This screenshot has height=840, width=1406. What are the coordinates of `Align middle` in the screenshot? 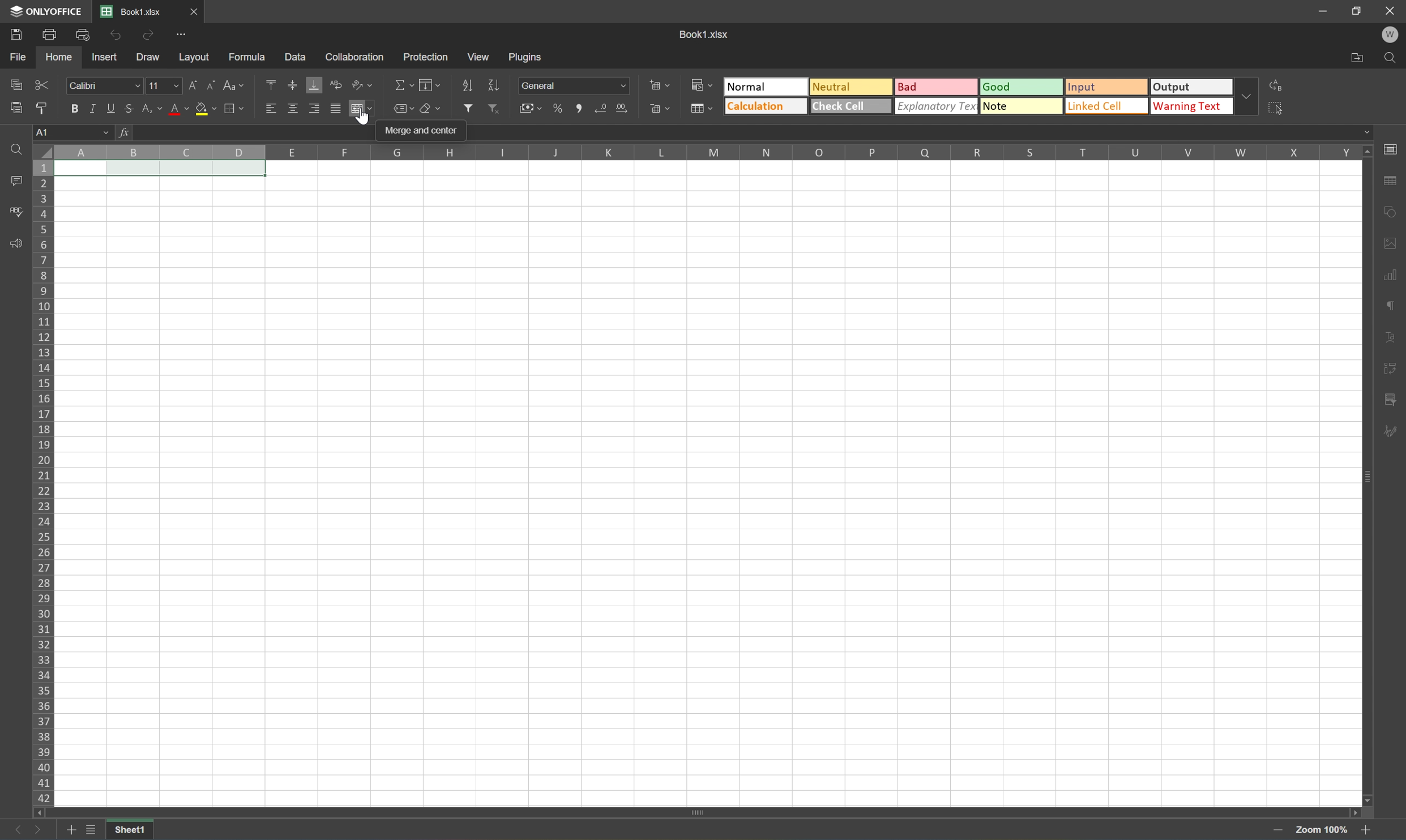 It's located at (293, 85).